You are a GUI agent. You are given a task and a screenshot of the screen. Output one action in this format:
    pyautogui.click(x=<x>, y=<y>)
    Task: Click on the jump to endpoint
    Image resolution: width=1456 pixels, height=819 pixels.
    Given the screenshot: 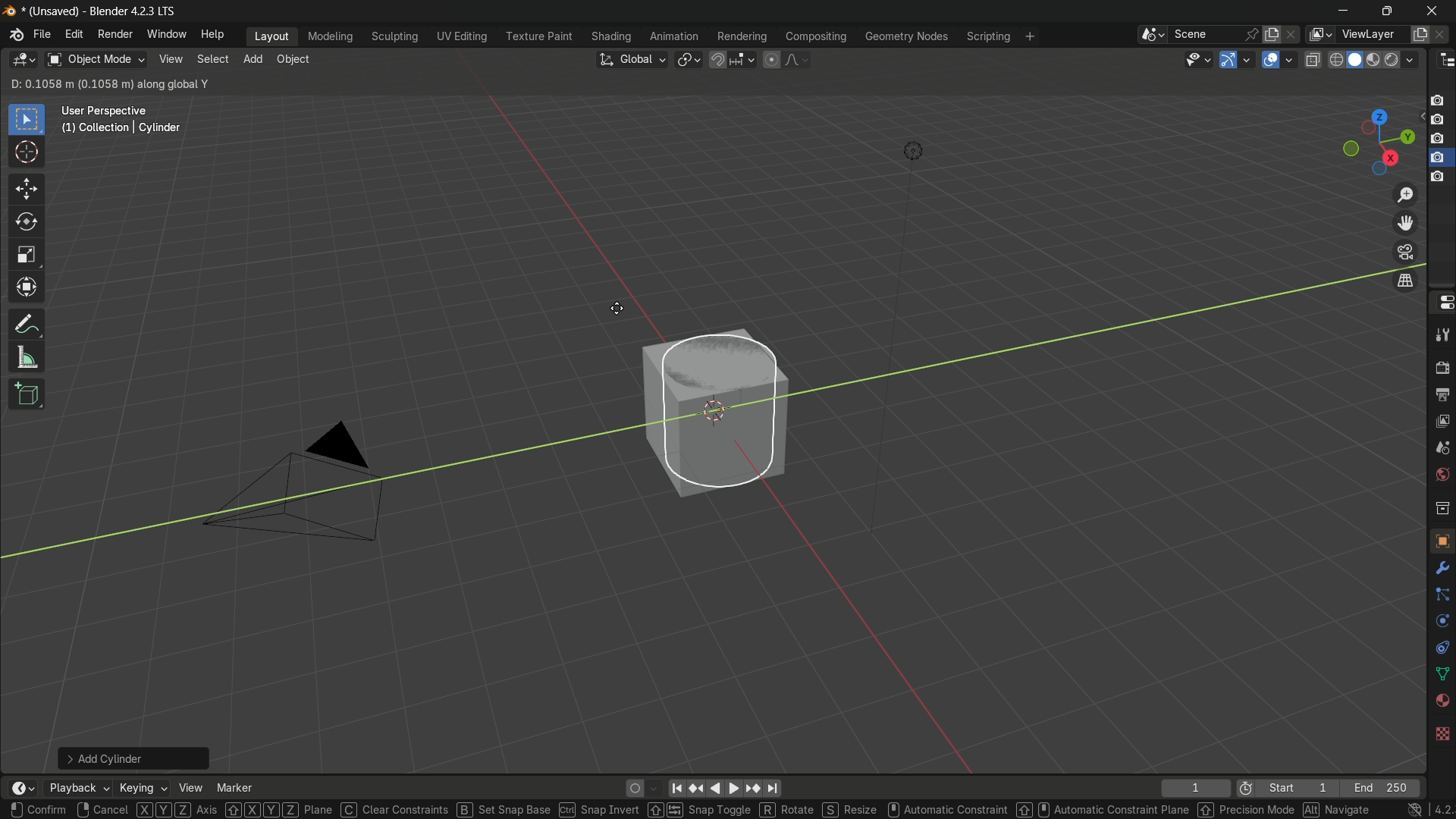 What is the action you would take?
    pyautogui.click(x=772, y=789)
    